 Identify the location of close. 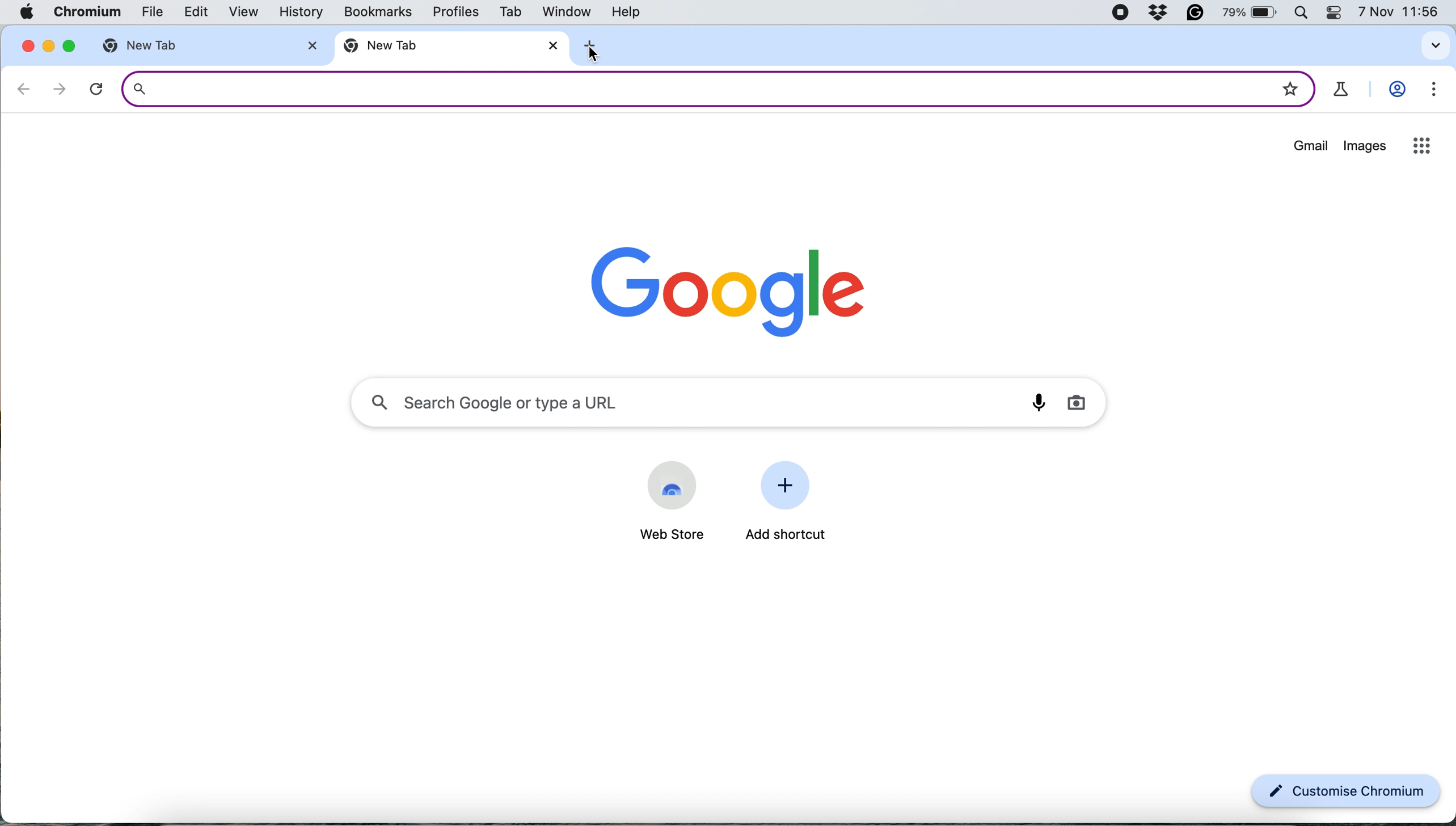
(27, 45).